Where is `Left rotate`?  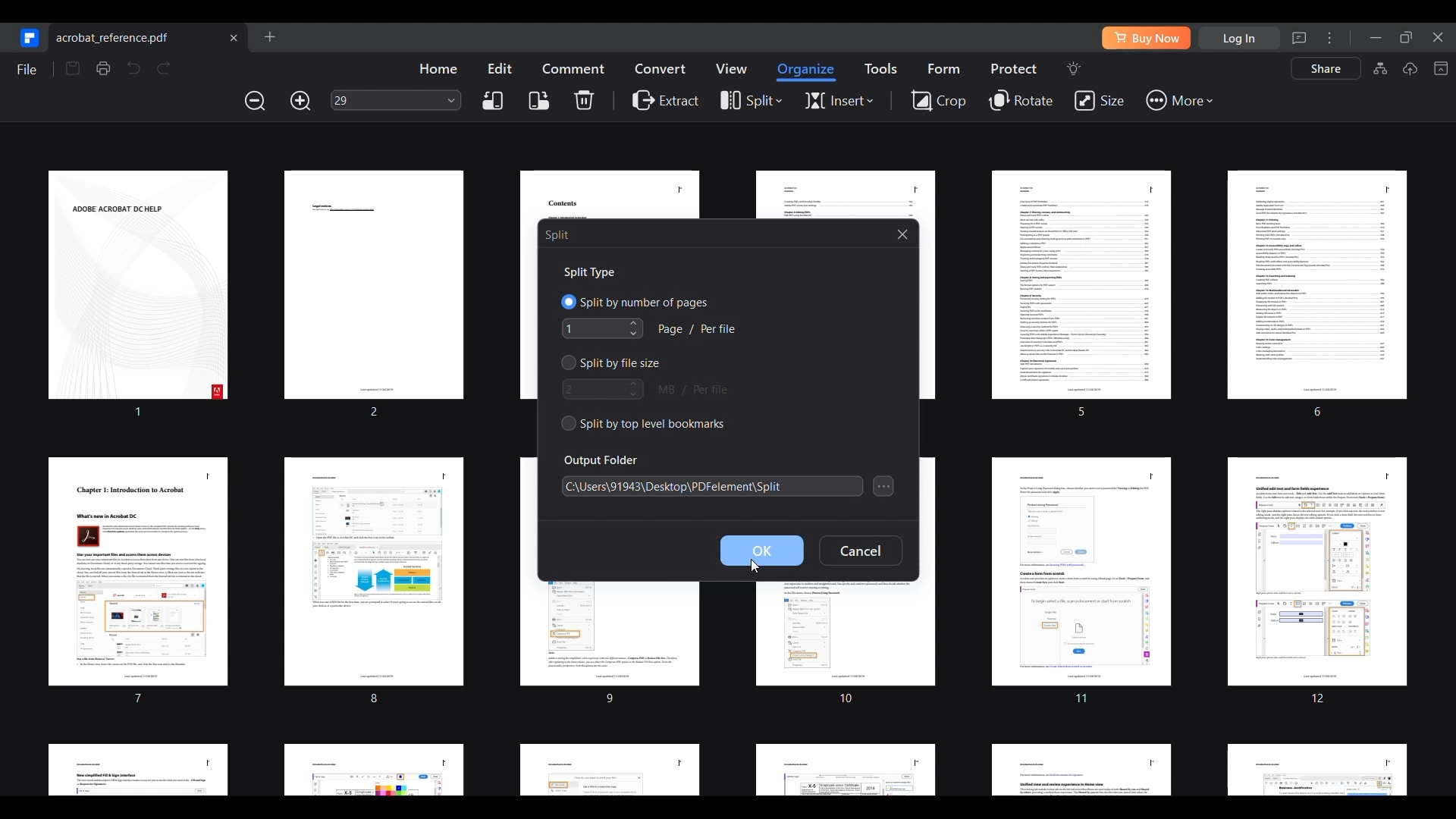
Left rotate is located at coordinates (492, 101).